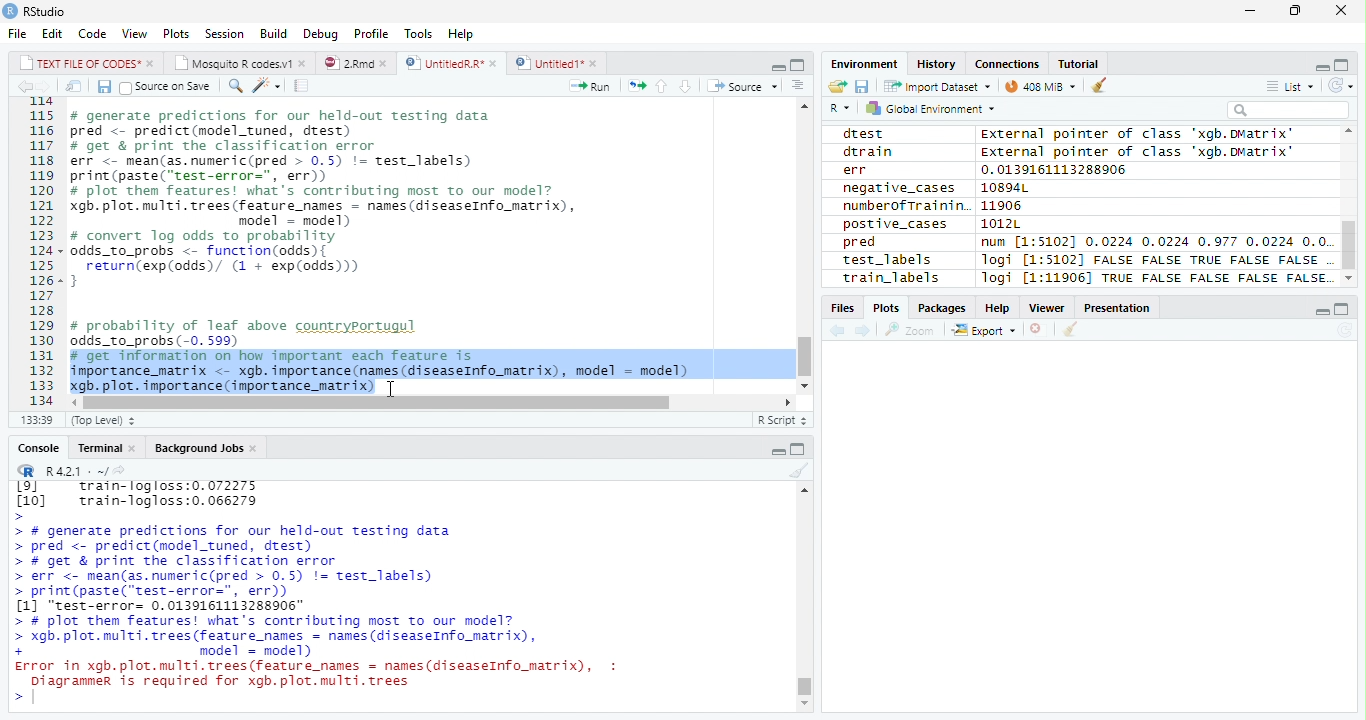  Describe the element at coordinates (1138, 151) in the screenshot. I see `External pointer of class "xgb.DMatrix'` at that location.